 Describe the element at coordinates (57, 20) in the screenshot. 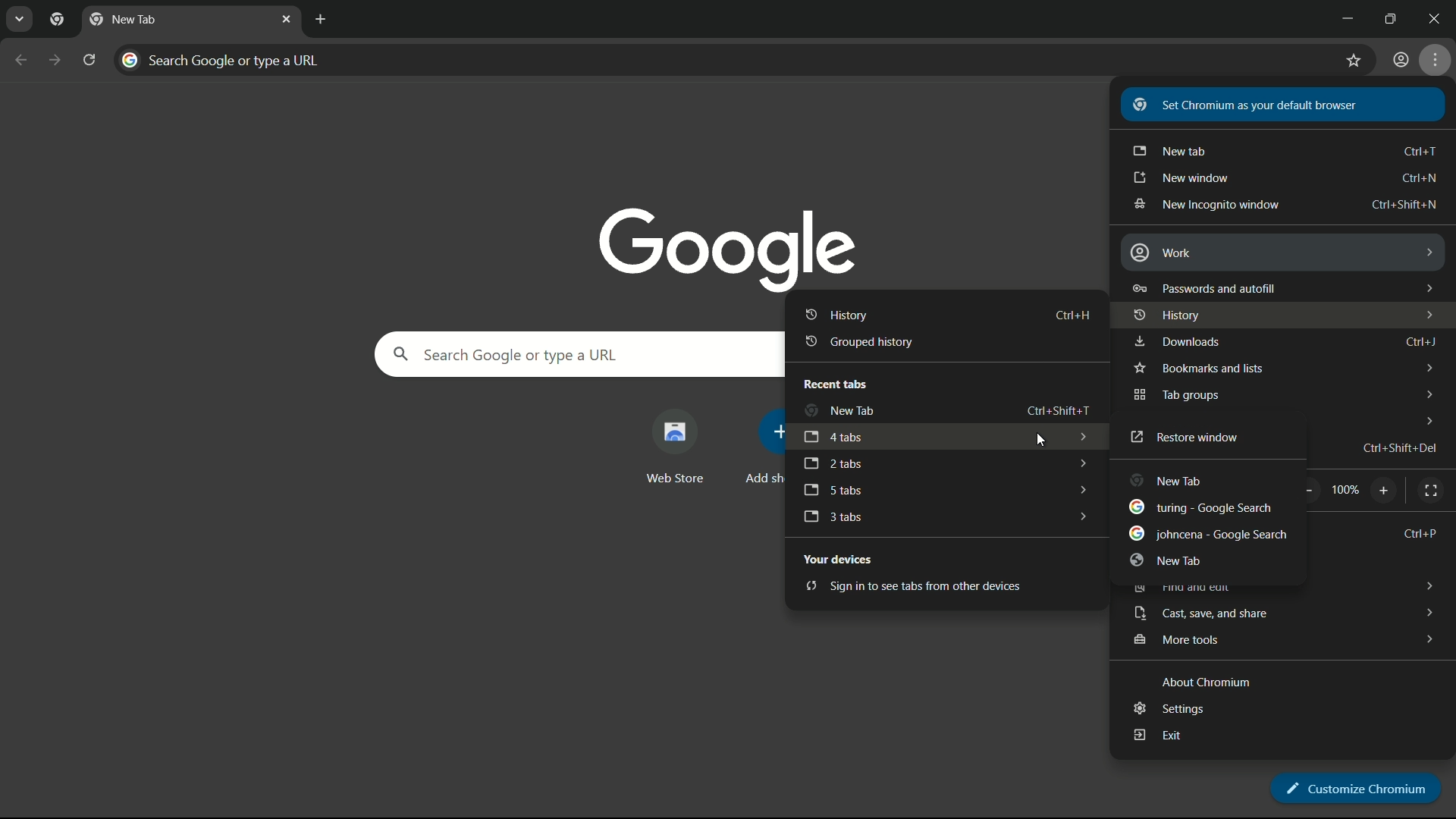

I see `chrome icon` at that location.